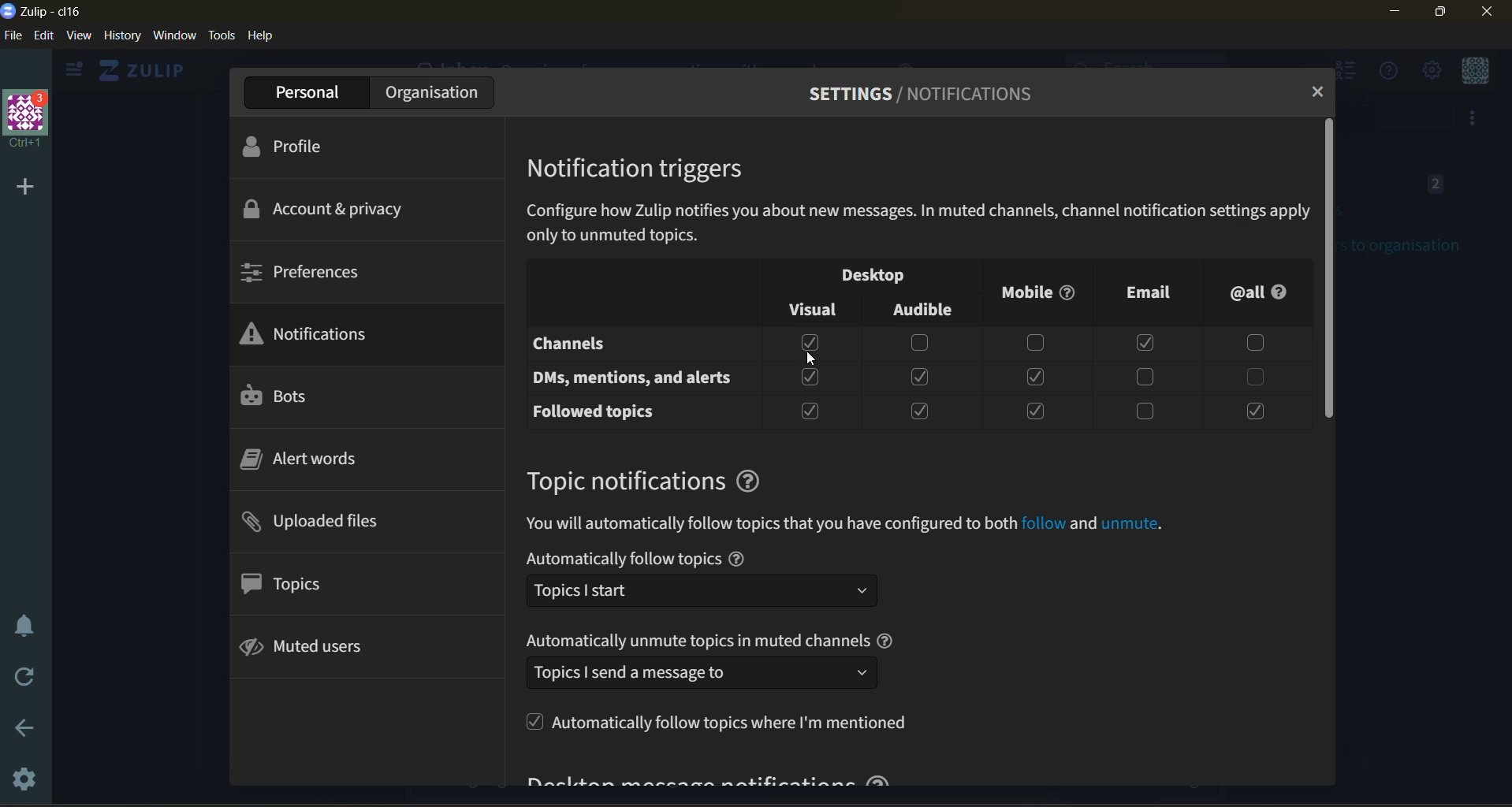 Image resolution: width=1512 pixels, height=807 pixels. Describe the element at coordinates (22, 623) in the screenshot. I see `enable do not disturb` at that location.